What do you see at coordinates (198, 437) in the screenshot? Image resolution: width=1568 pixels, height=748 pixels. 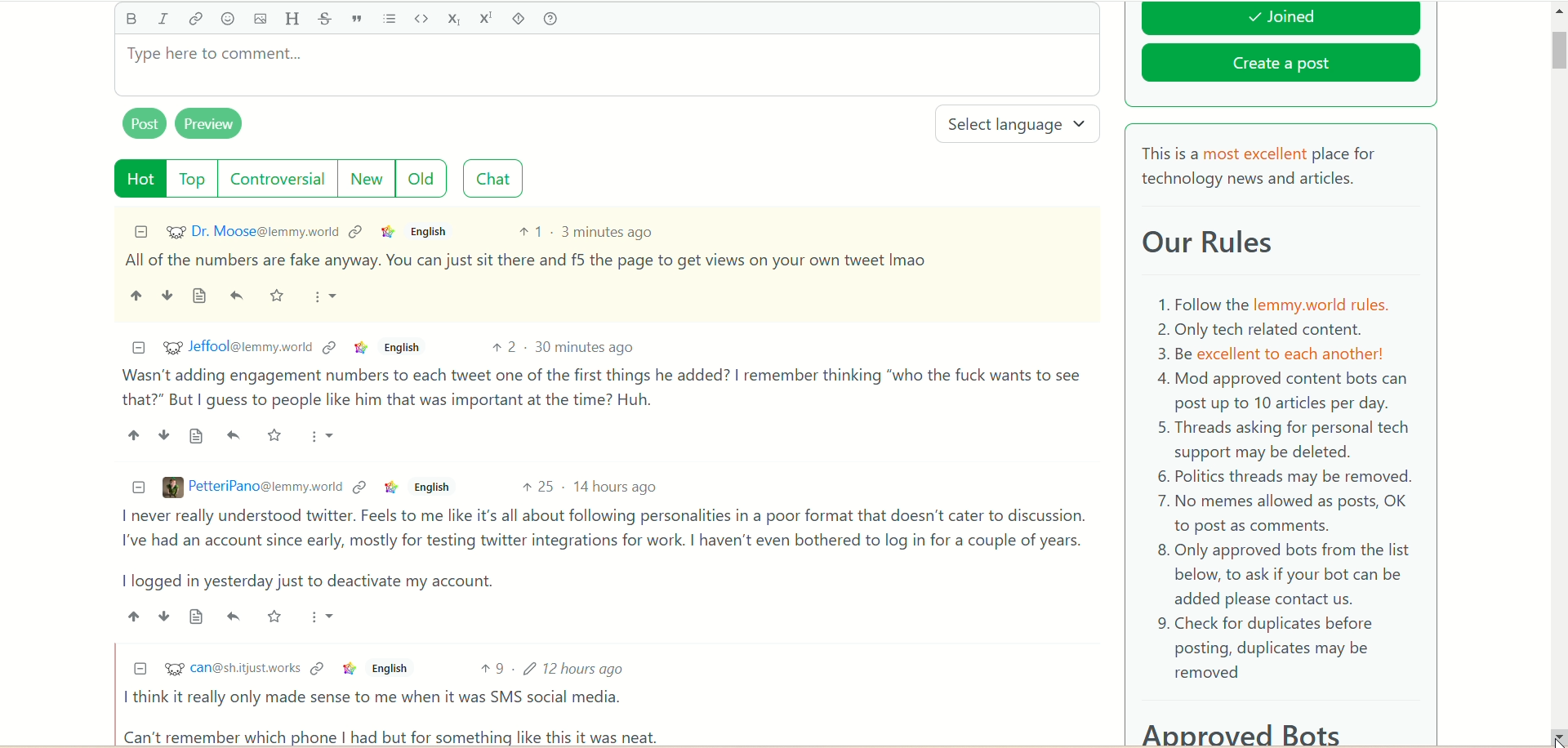 I see `Source` at bounding box center [198, 437].